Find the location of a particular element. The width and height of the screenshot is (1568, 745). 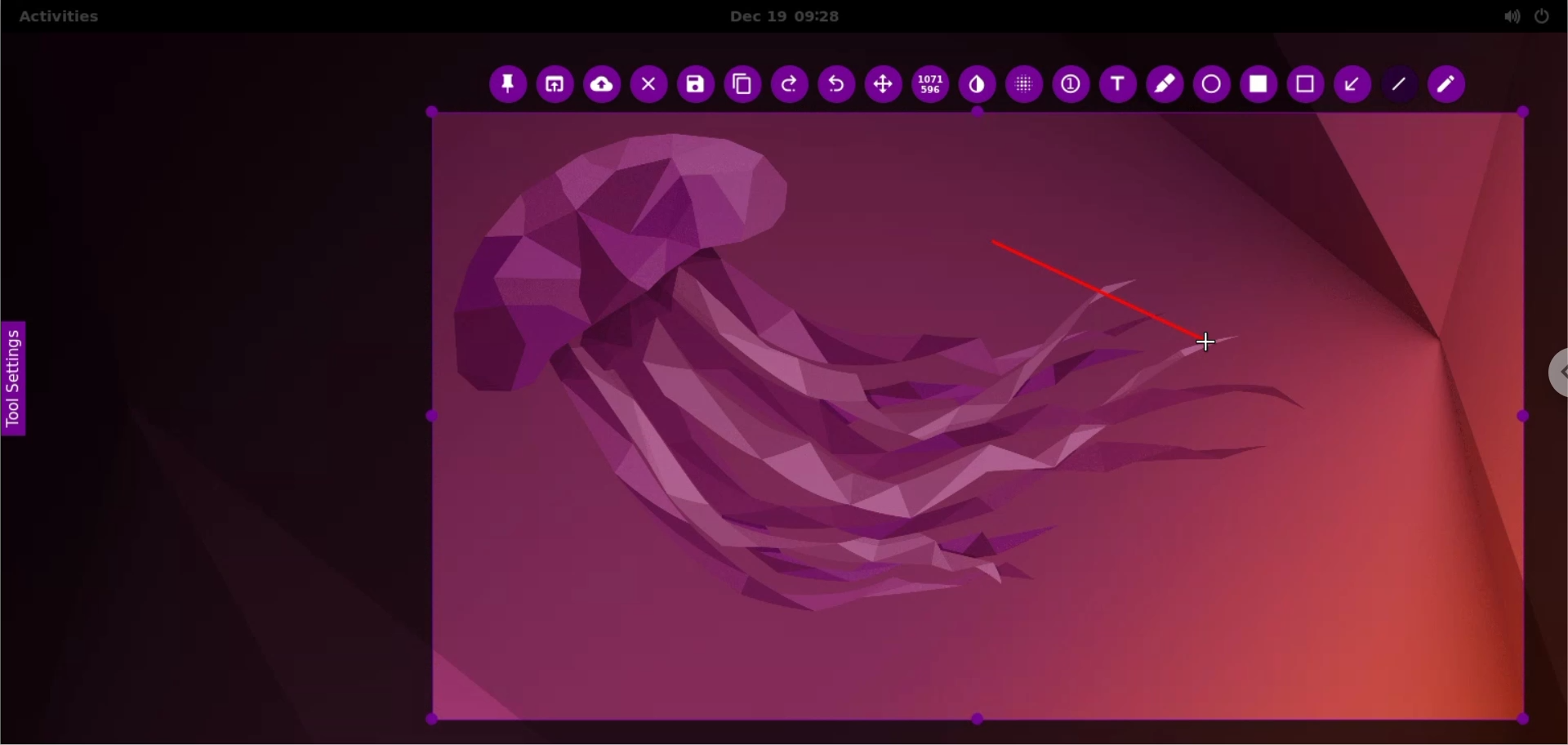

move selection is located at coordinates (888, 87).